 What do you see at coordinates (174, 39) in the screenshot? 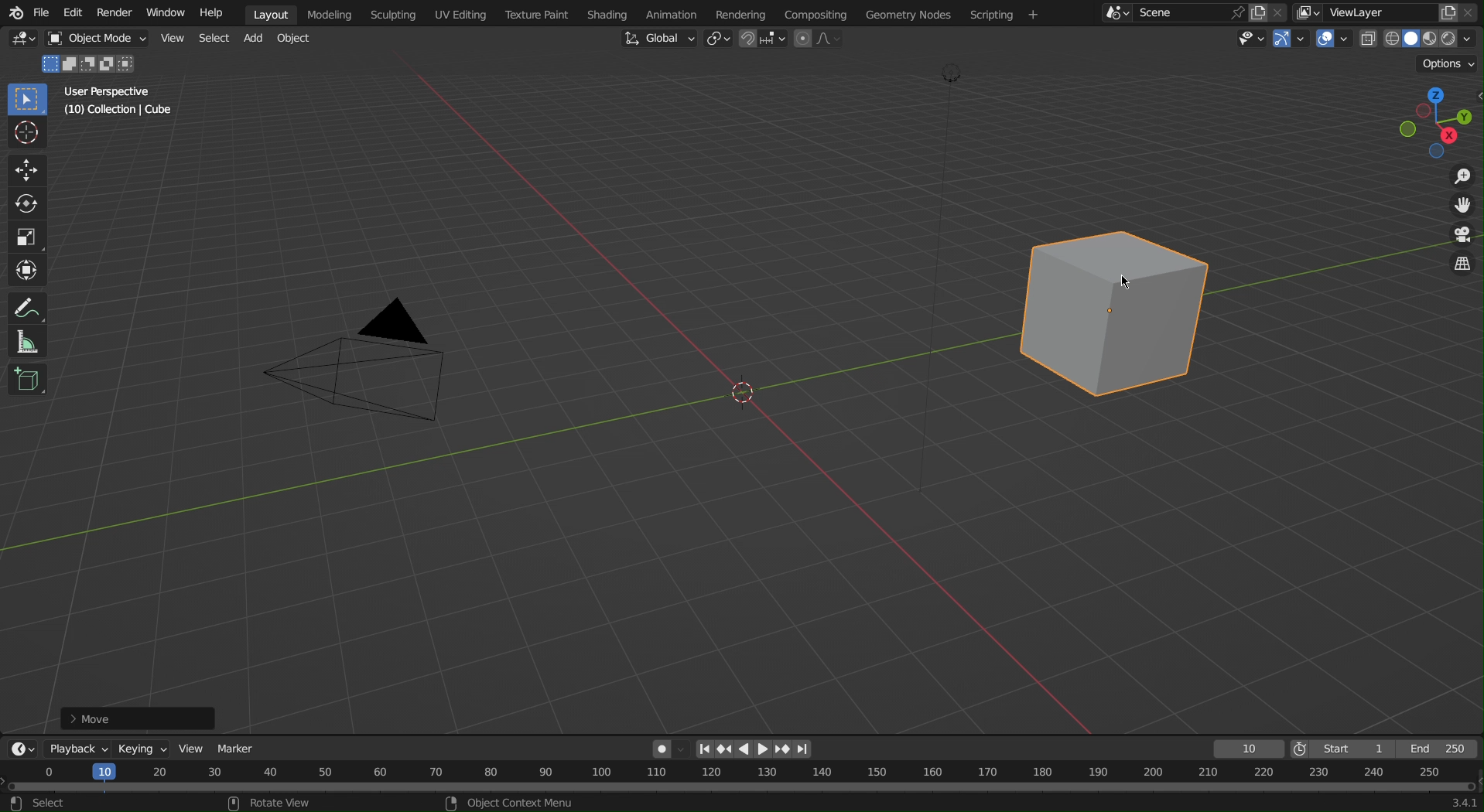
I see `View` at bounding box center [174, 39].